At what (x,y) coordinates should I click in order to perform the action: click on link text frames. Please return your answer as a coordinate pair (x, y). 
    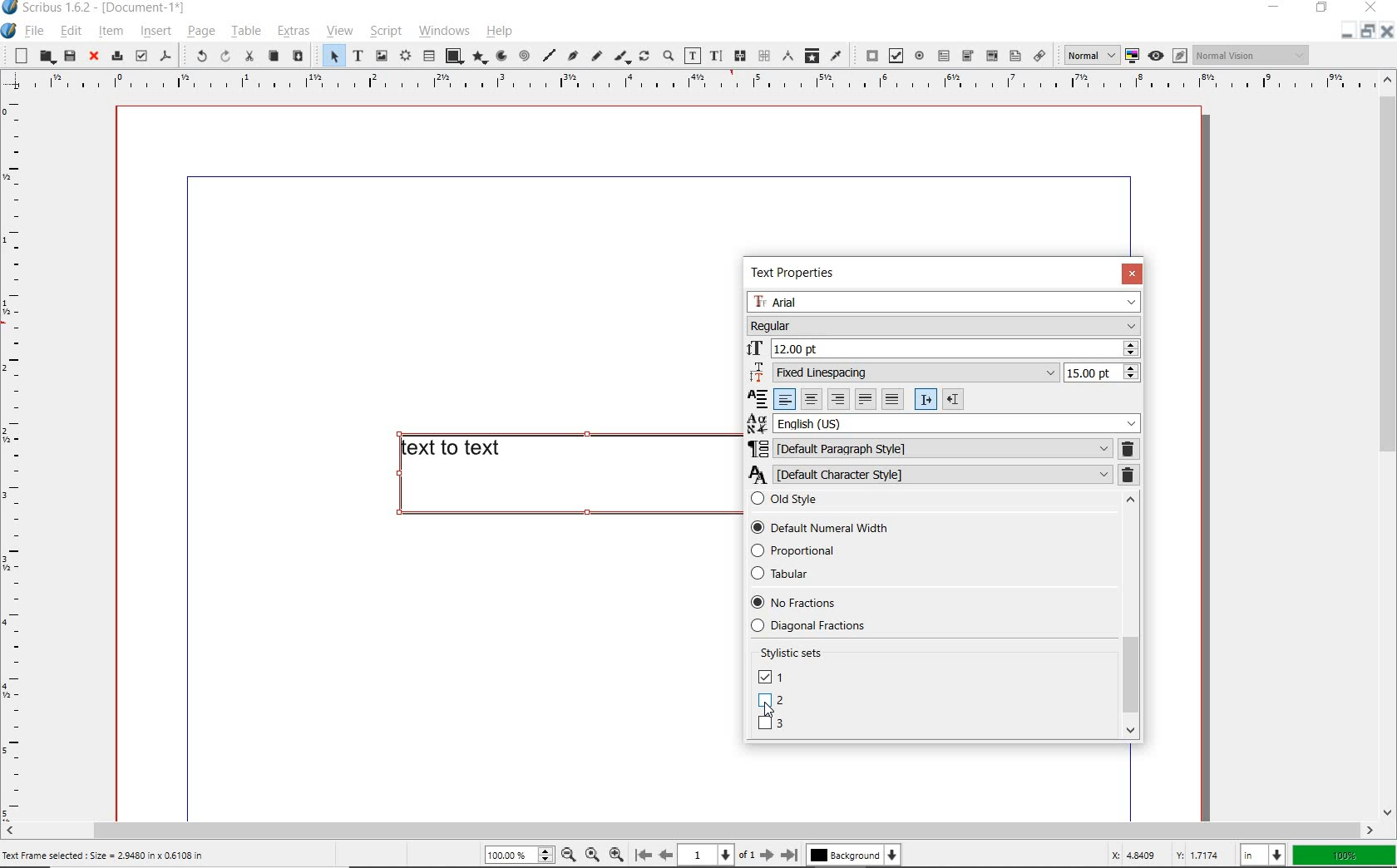
    Looking at the image, I should click on (738, 56).